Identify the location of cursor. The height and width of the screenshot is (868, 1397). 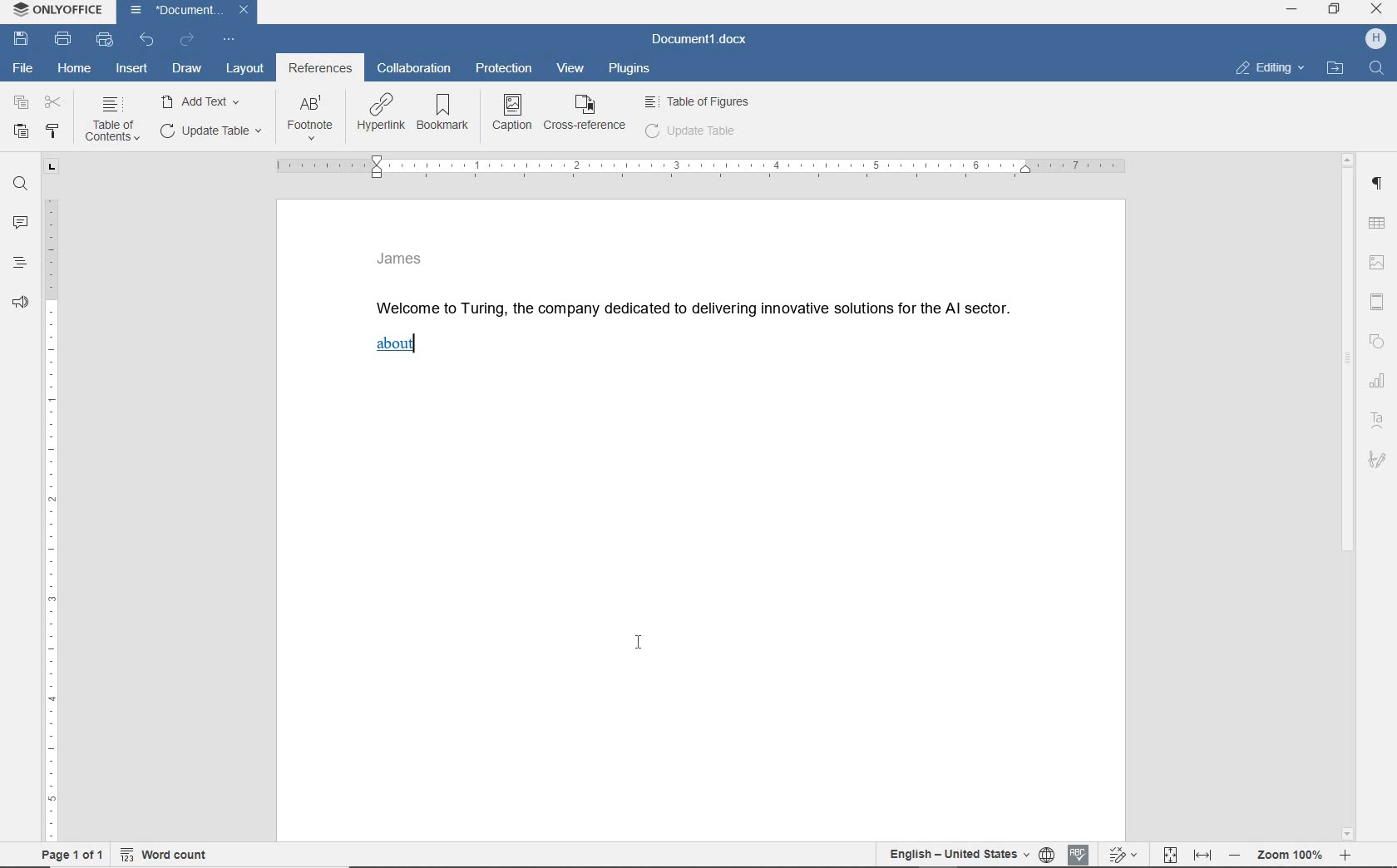
(642, 646).